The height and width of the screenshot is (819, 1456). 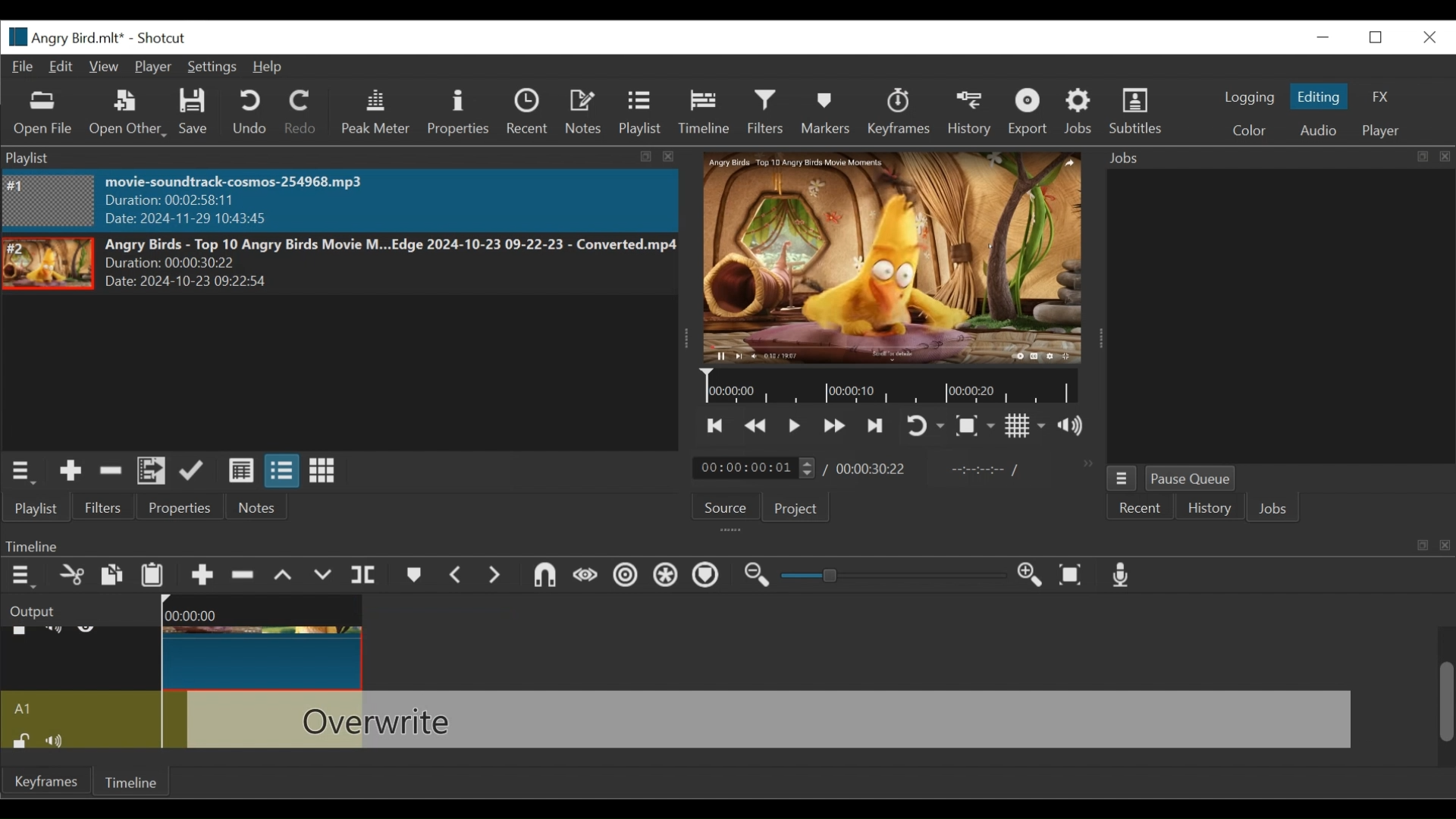 I want to click on Add the source to the playlist, so click(x=71, y=471).